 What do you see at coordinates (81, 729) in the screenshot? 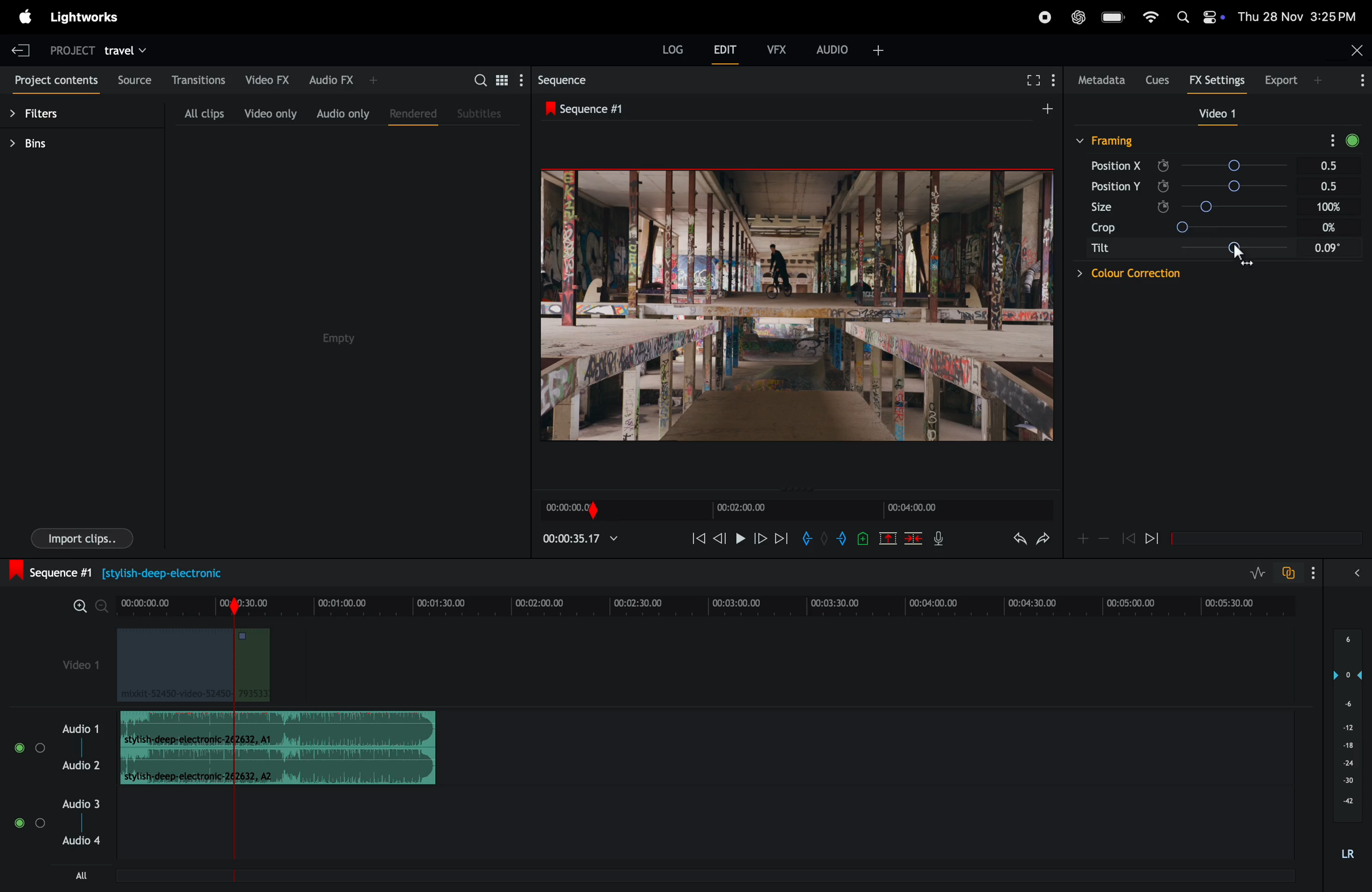
I see `audio 1` at bounding box center [81, 729].